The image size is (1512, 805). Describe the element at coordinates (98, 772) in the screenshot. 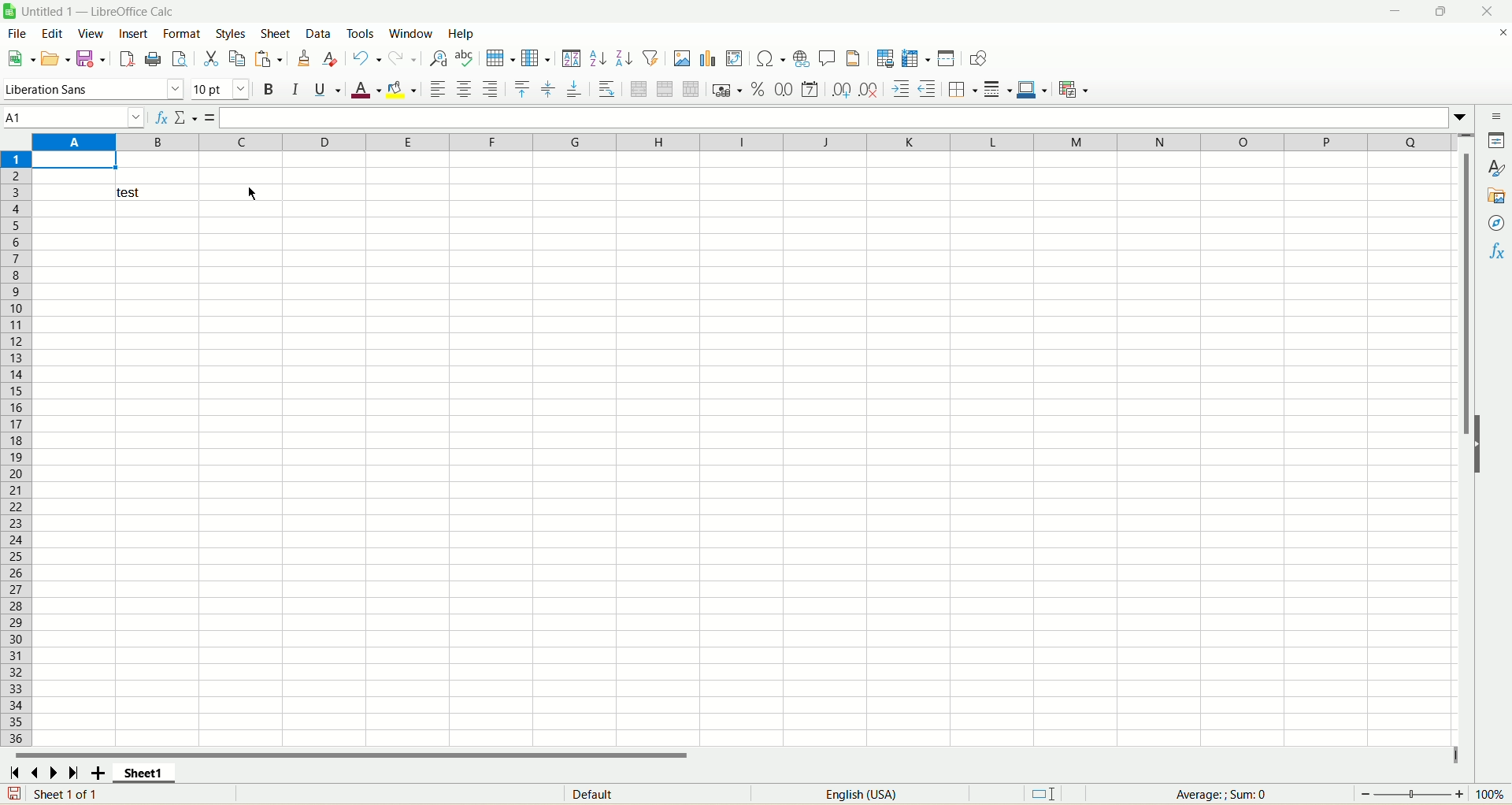

I see `add sheet` at that location.